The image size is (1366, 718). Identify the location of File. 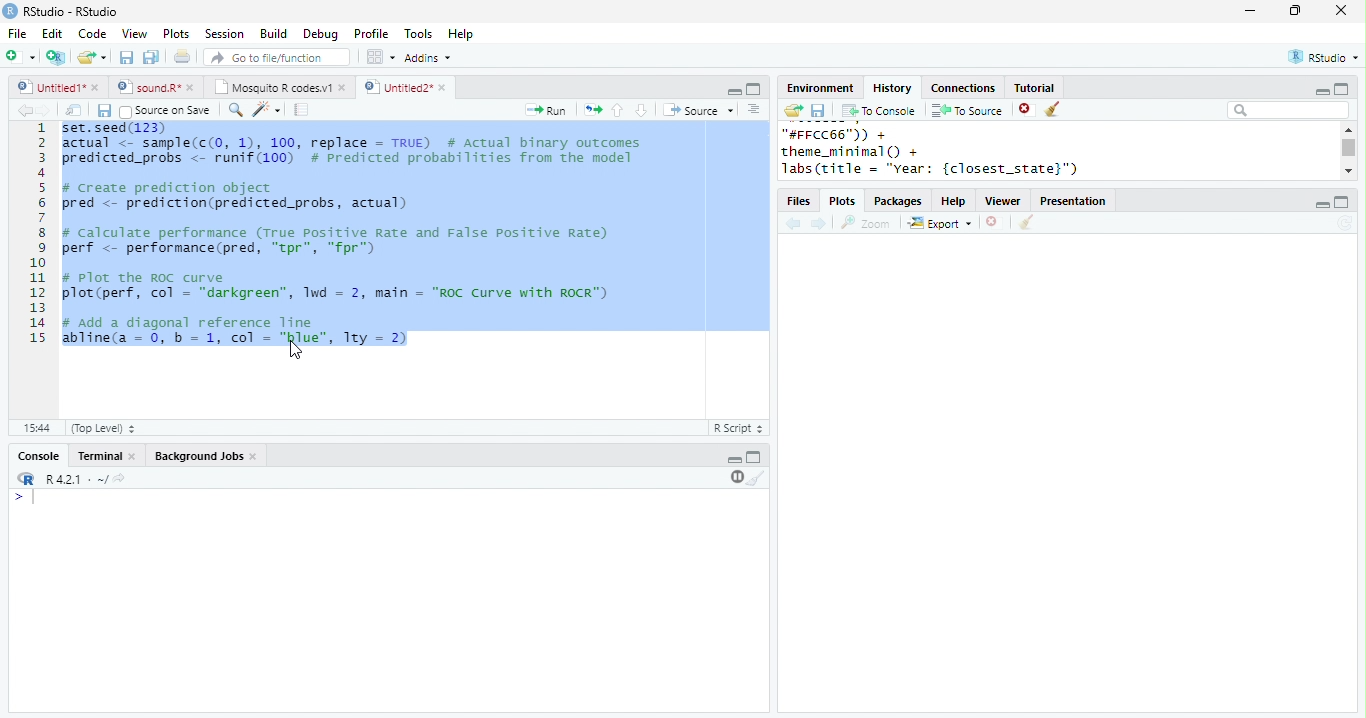
(17, 34).